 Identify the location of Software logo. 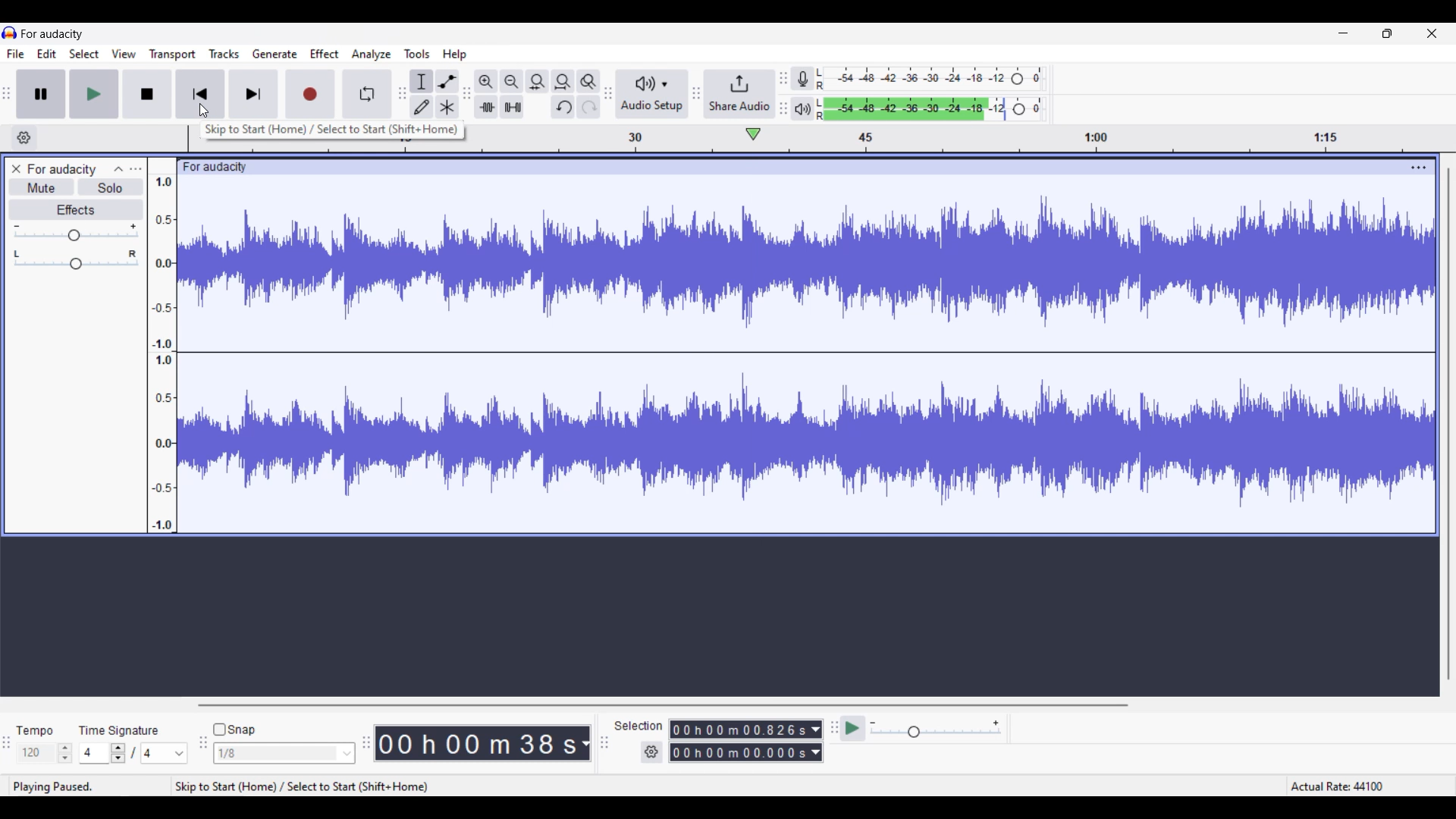
(10, 33).